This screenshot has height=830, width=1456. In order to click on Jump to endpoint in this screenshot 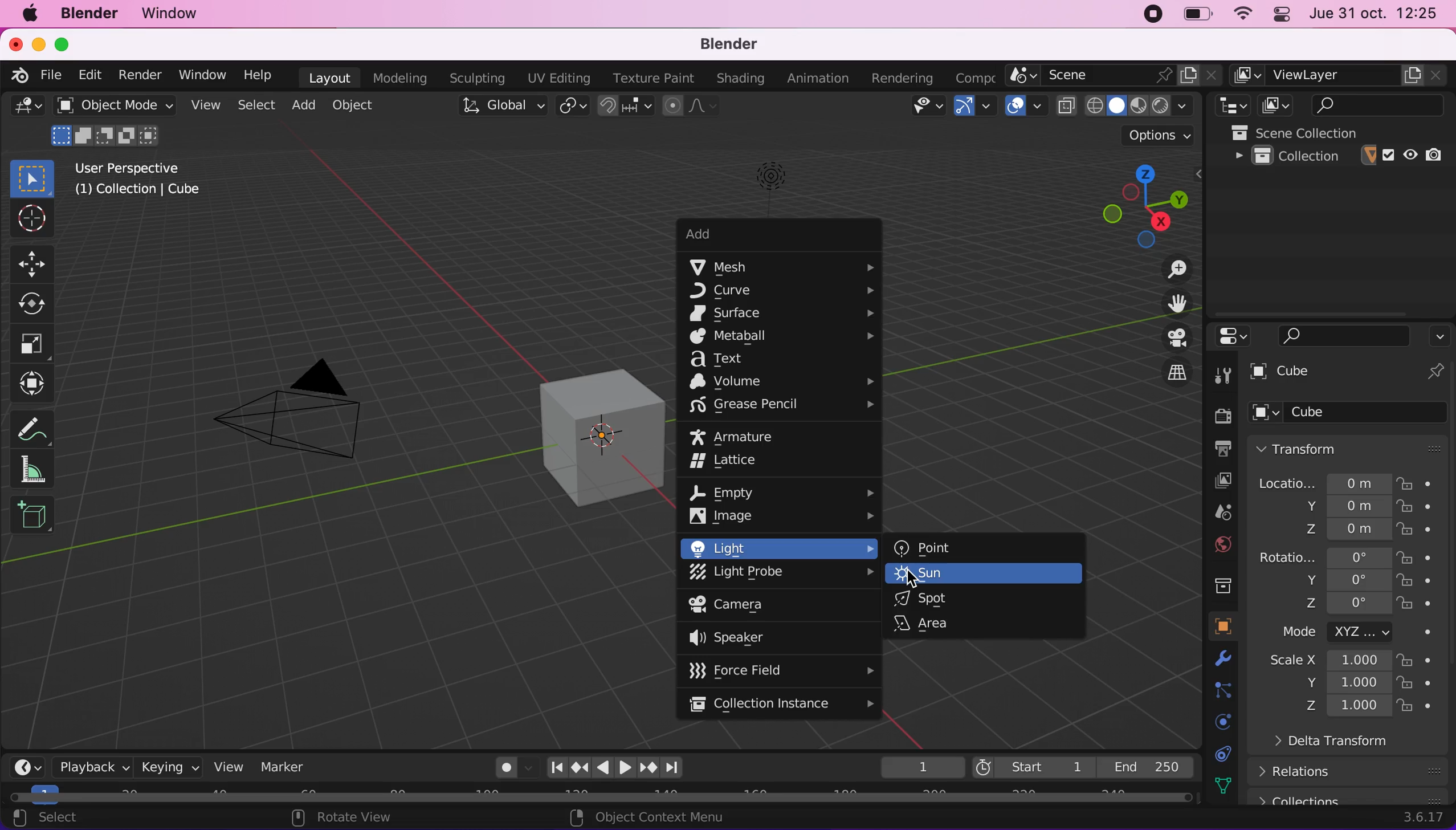, I will do `click(556, 766)`.